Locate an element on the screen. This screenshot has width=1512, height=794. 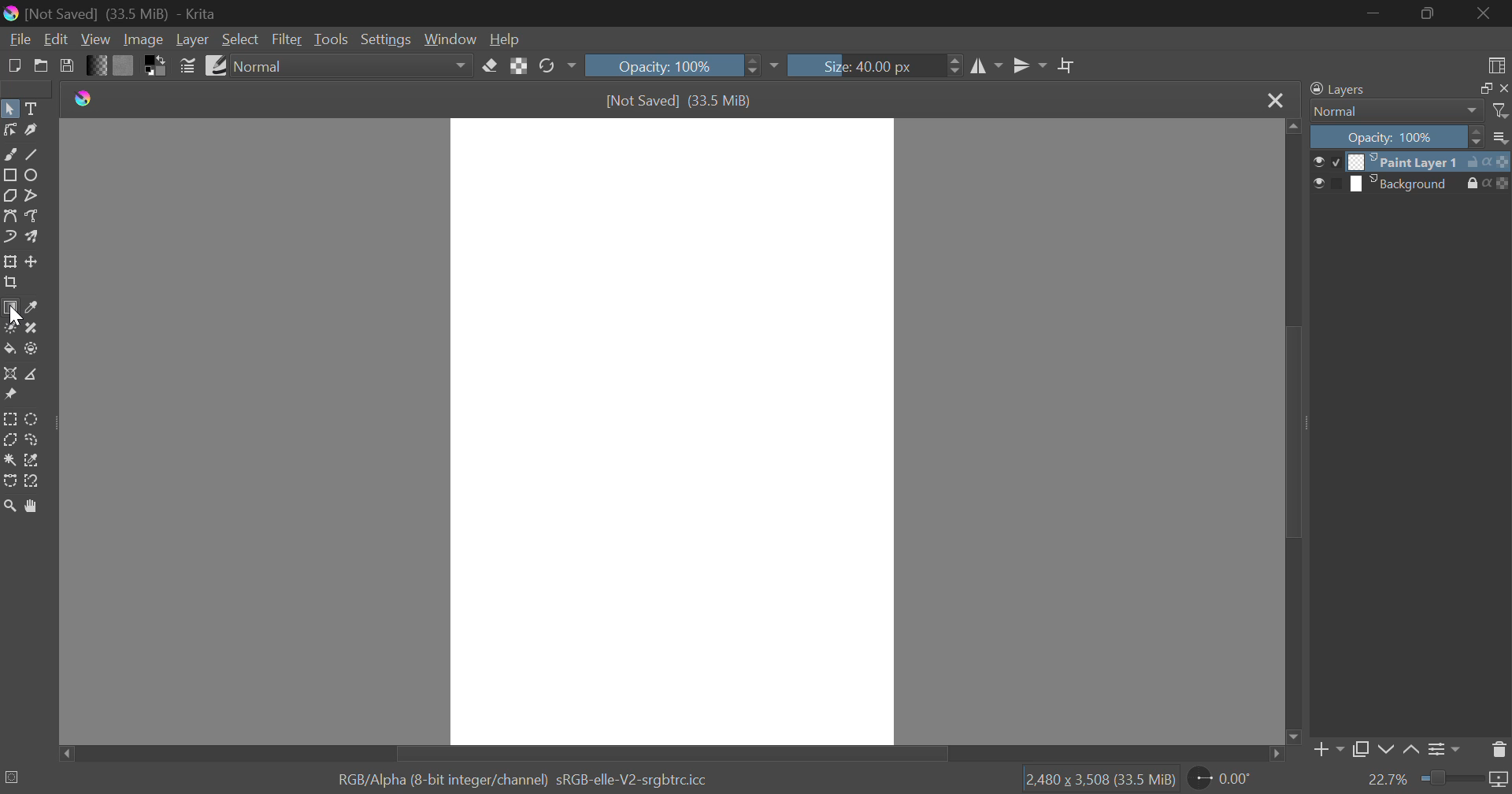
Opacity: 100% is located at coordinates (680, 65).